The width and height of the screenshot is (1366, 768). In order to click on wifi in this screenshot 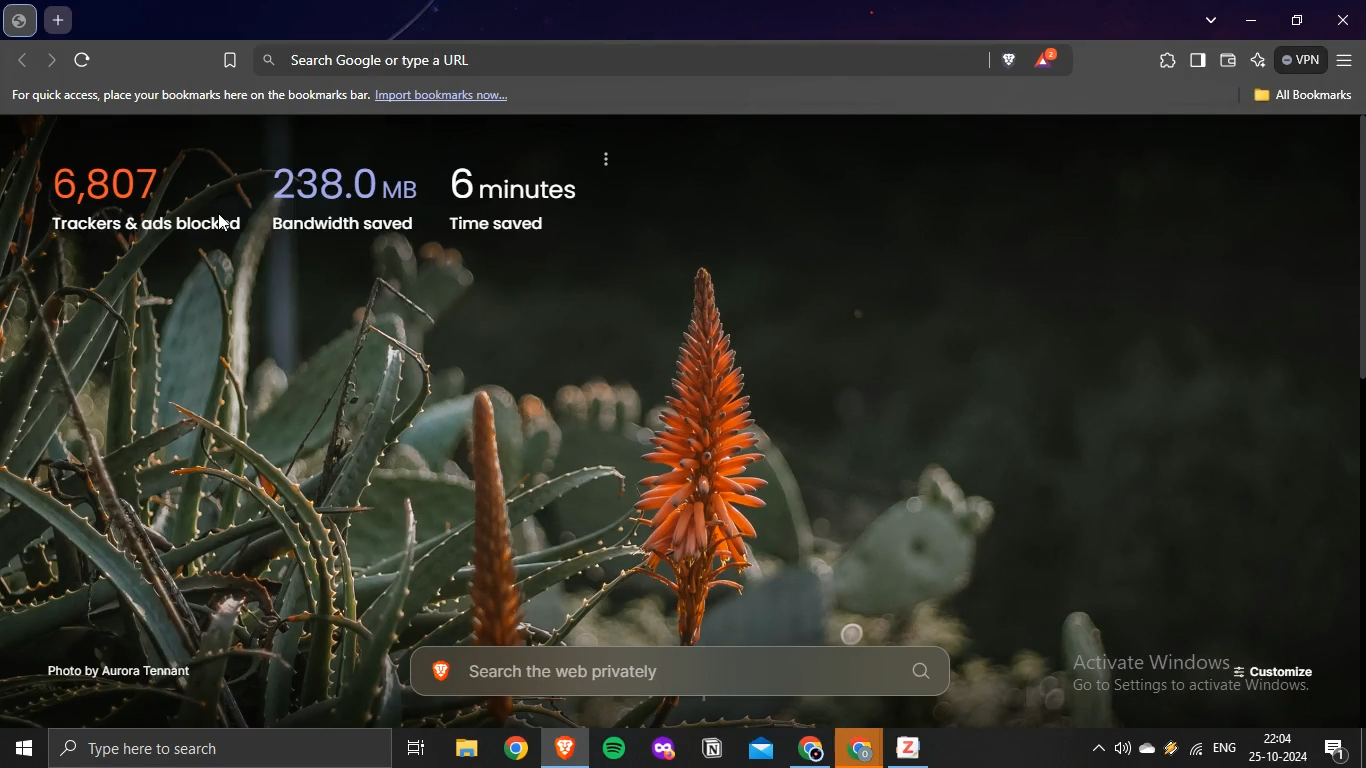, I will do `click(1194, 748)`.